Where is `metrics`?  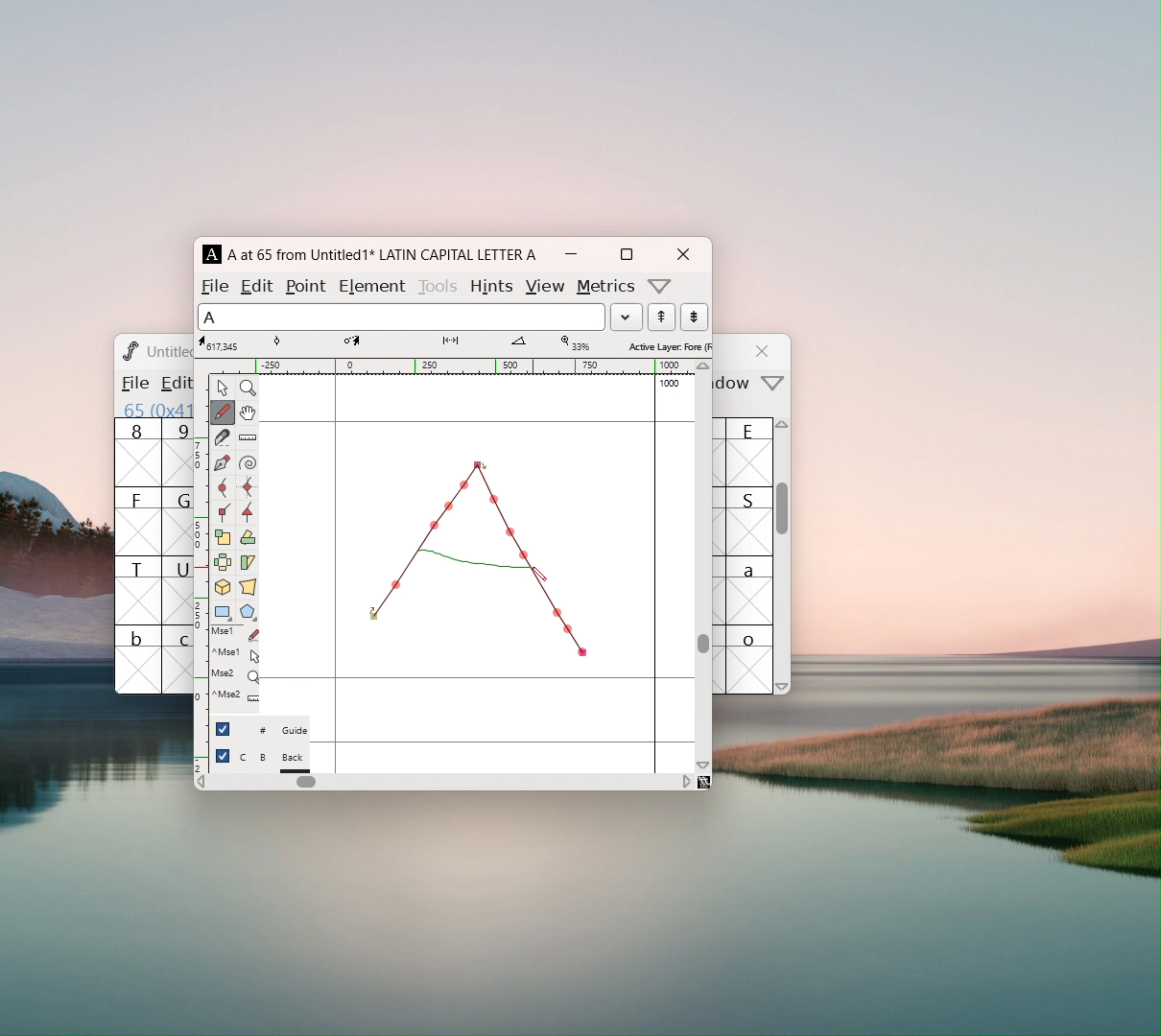
metrics is located at coordinates (606, 287).